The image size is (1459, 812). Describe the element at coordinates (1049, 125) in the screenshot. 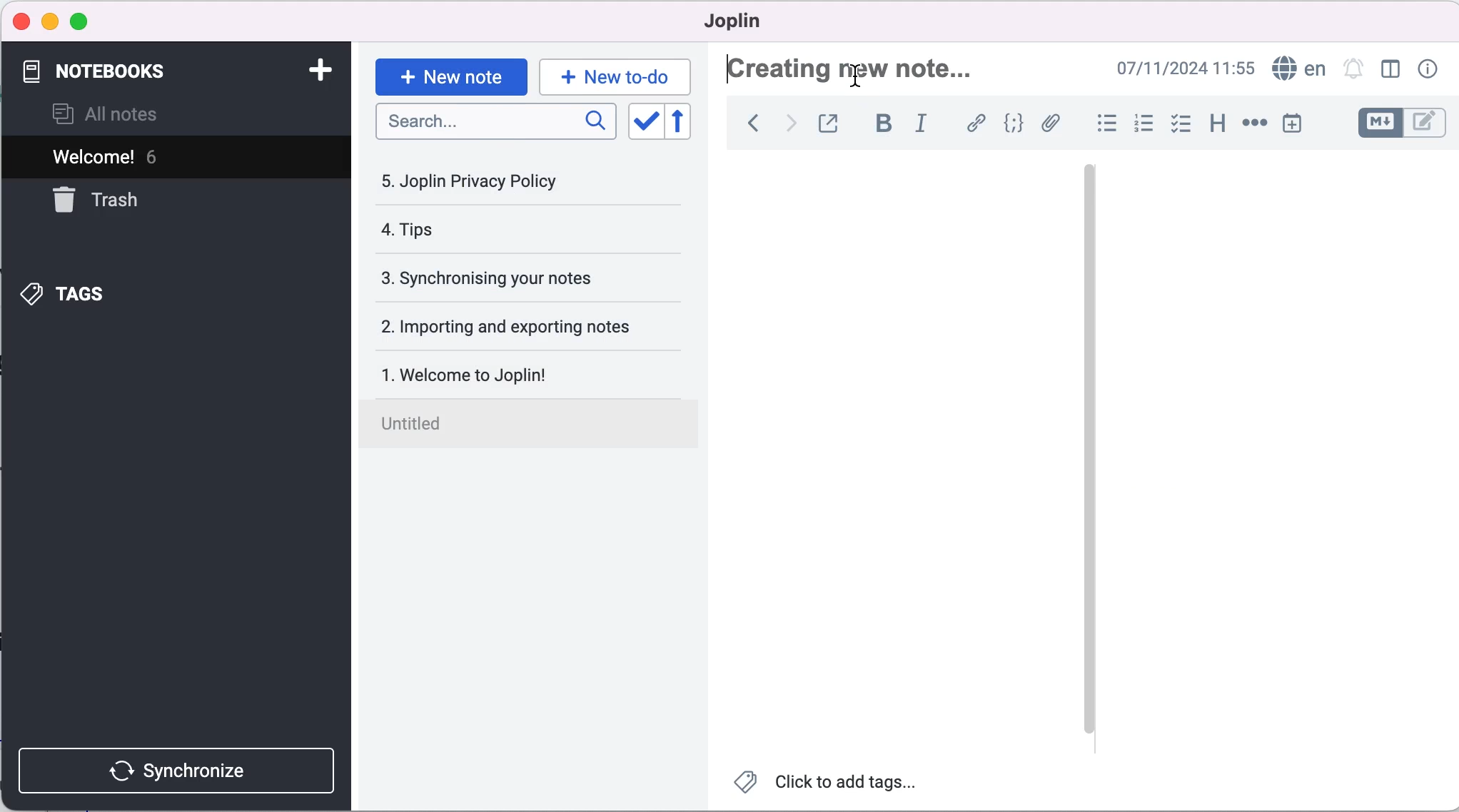

I see `attach file` at that location.